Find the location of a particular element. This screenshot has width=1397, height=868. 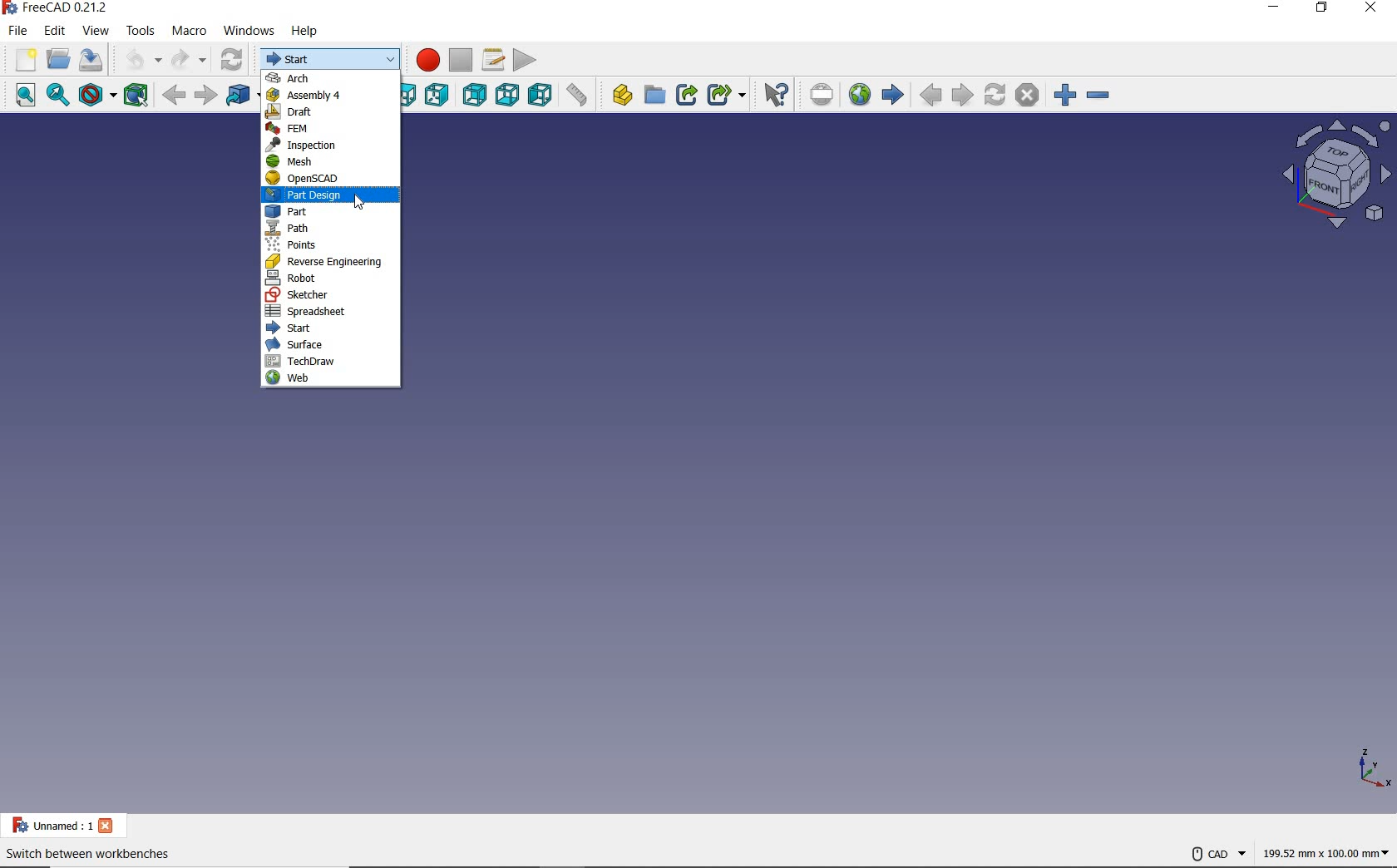

REDO is located at coordinates (189, 61).